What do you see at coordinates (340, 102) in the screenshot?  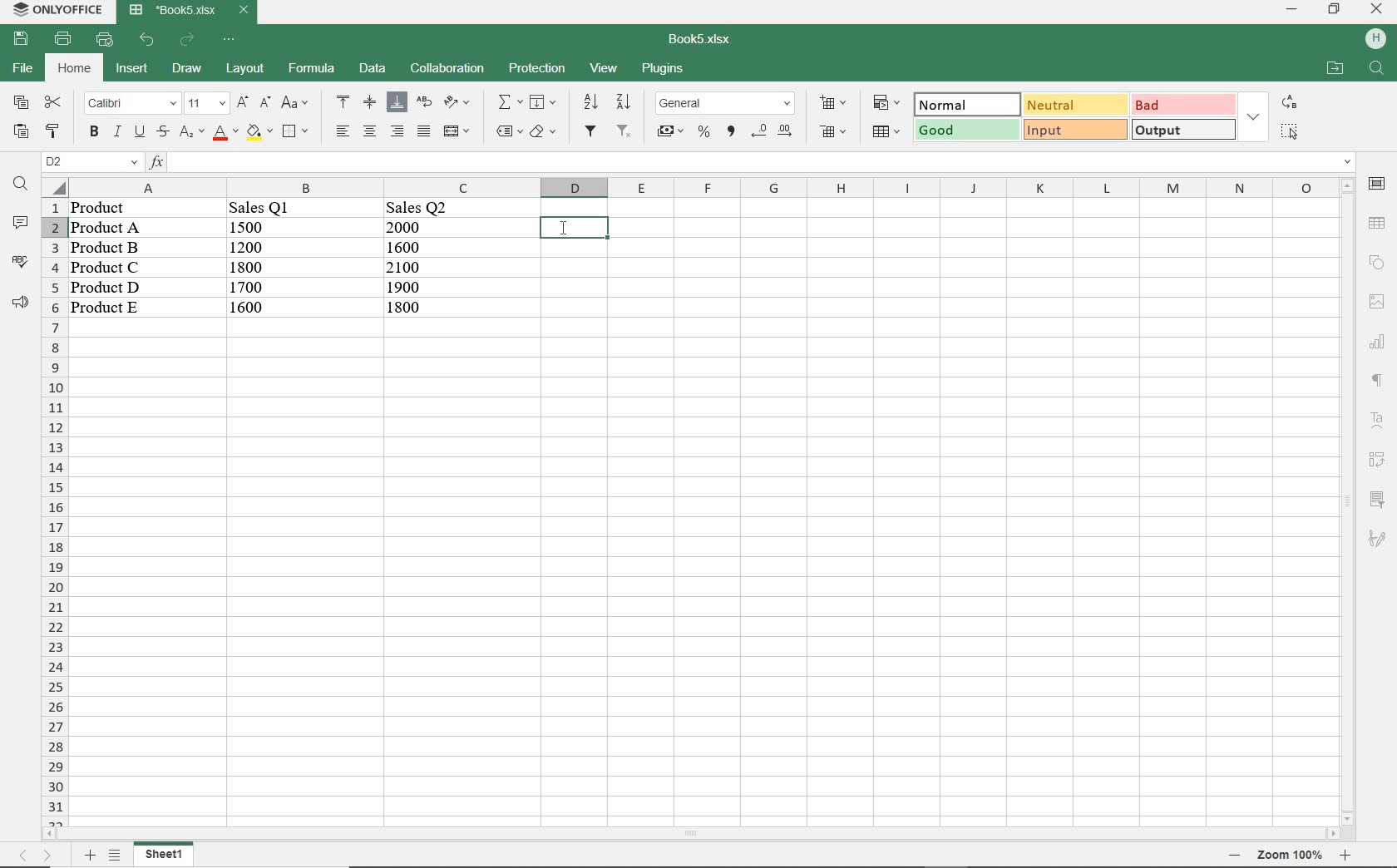 I see `align top` at bounding box center [340, 102].